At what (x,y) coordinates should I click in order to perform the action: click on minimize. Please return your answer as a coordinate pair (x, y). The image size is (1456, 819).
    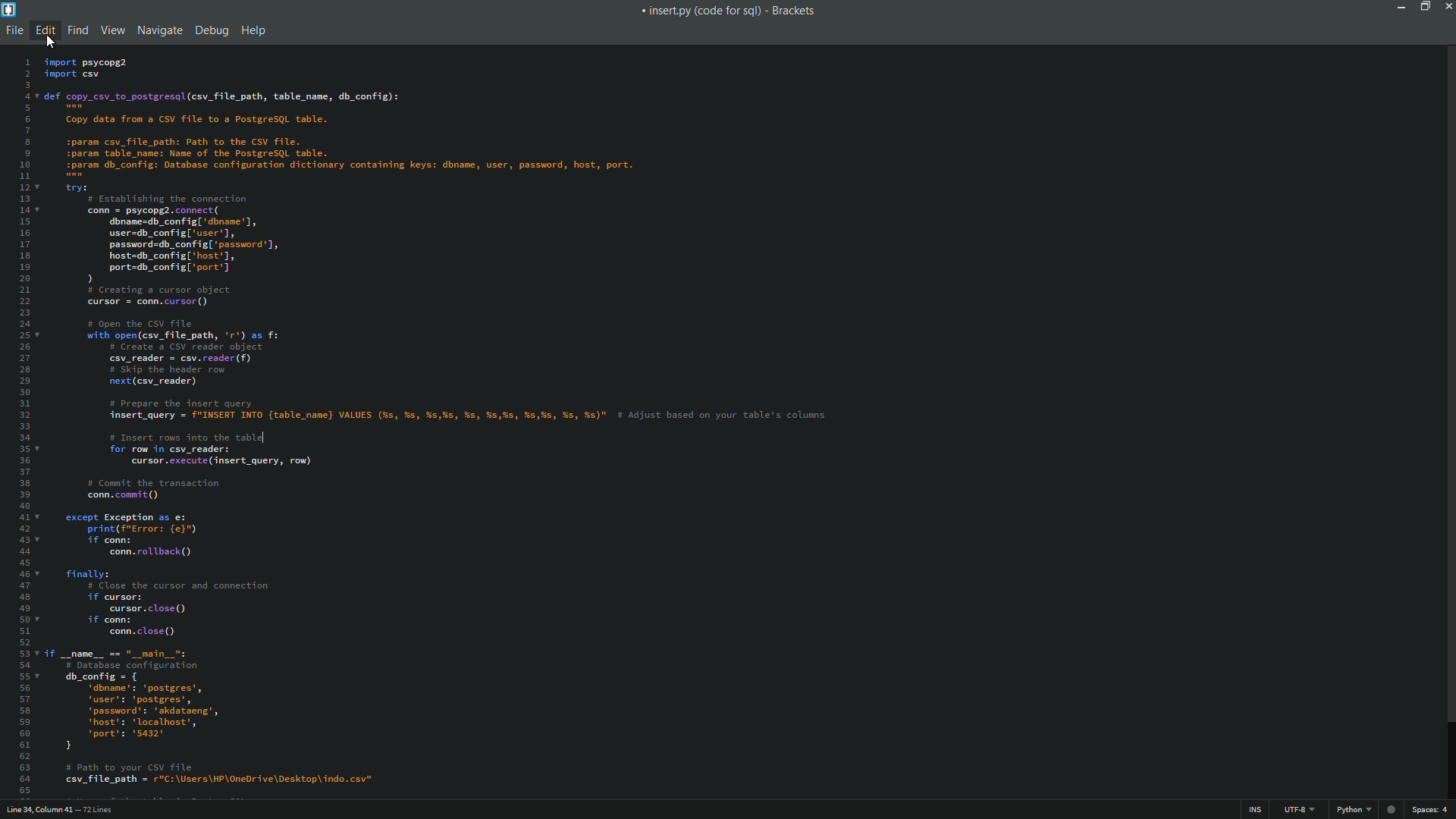
    Looking at the image, I should click on (1402, 6).